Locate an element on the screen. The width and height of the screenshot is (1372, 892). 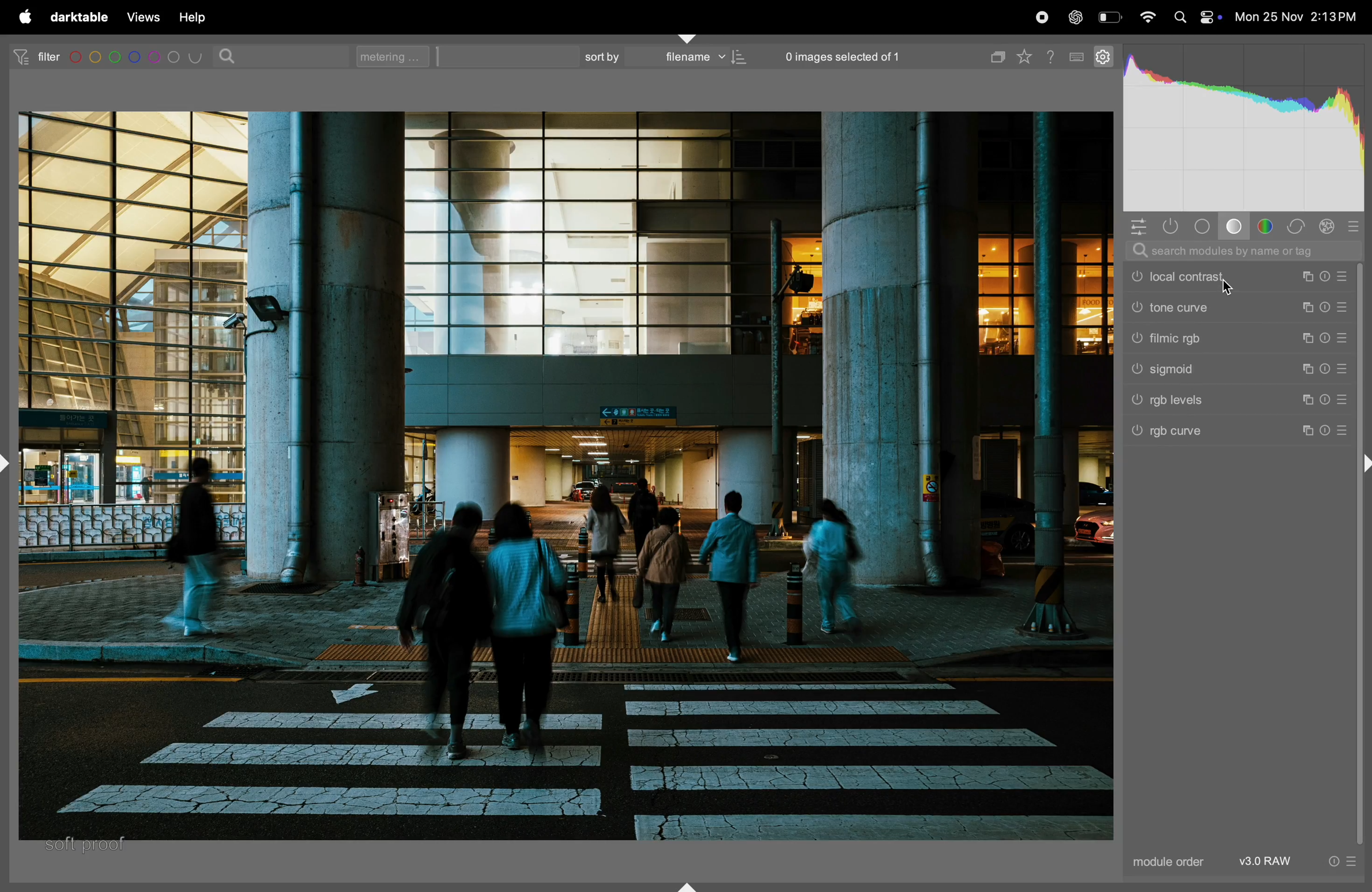
keyboard shortcuts is located at coordinates (1077, 58).